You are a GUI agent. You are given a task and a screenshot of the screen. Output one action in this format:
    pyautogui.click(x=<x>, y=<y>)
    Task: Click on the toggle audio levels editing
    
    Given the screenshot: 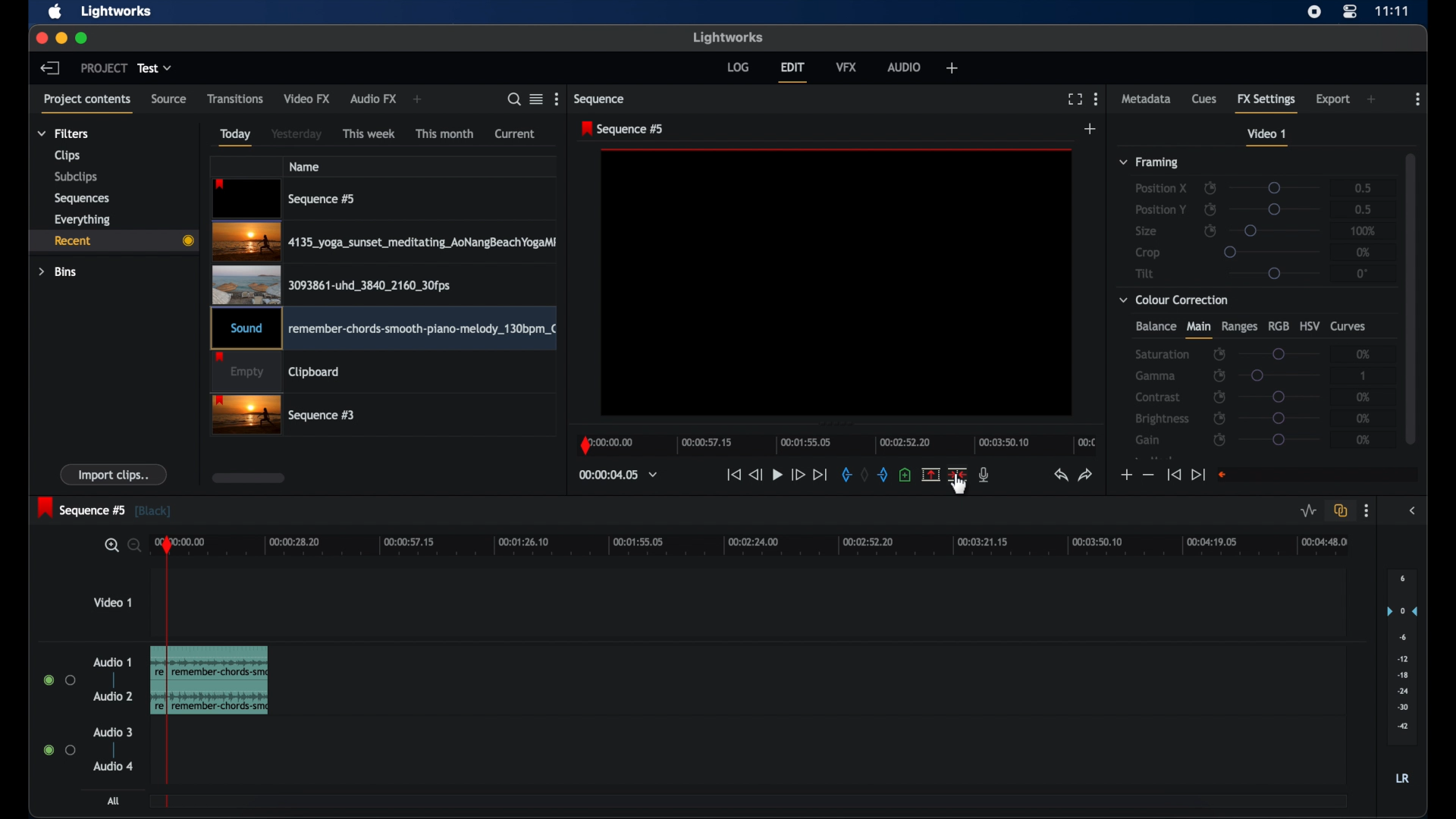 What is the action you would take?
    pyautogui.click(x=1309, y=511)
    